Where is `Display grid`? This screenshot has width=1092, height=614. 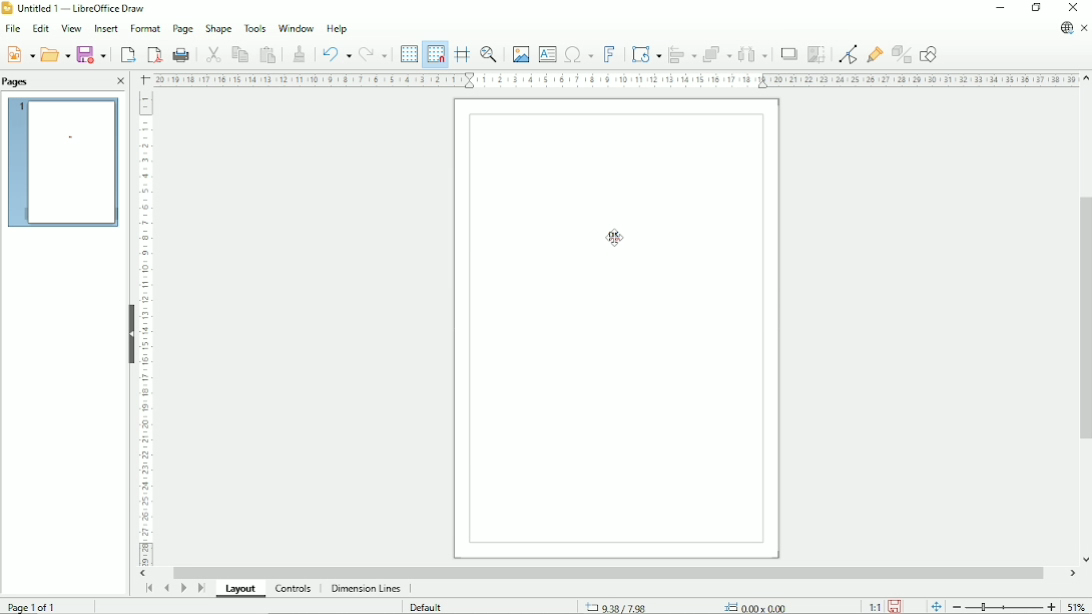 Display grid is located at coordinates (408, 52).